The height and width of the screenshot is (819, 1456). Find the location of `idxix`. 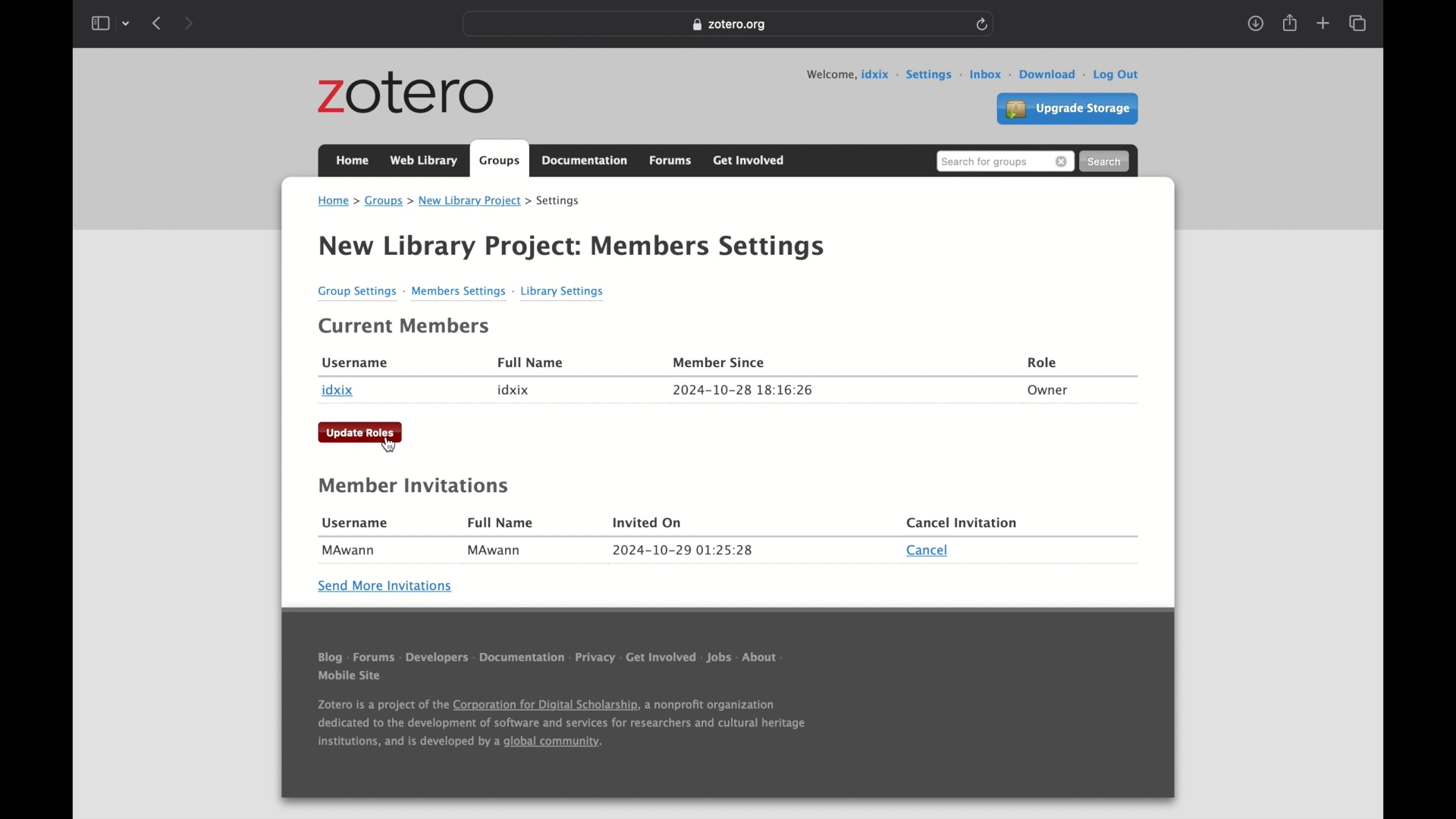

idxix is located at coordinates (338, 391).